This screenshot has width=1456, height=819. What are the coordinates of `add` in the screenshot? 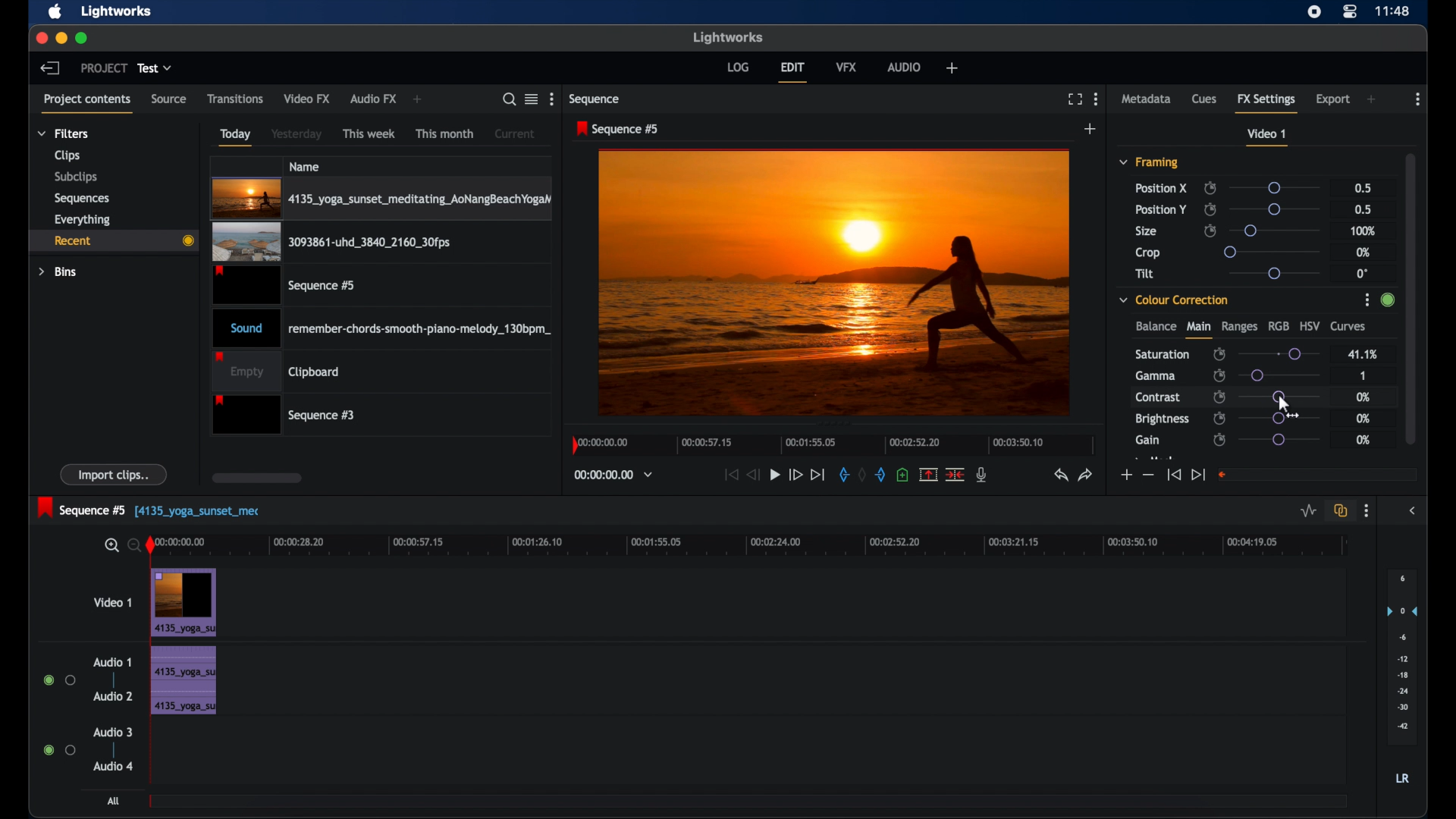 It's located at (951, 67).